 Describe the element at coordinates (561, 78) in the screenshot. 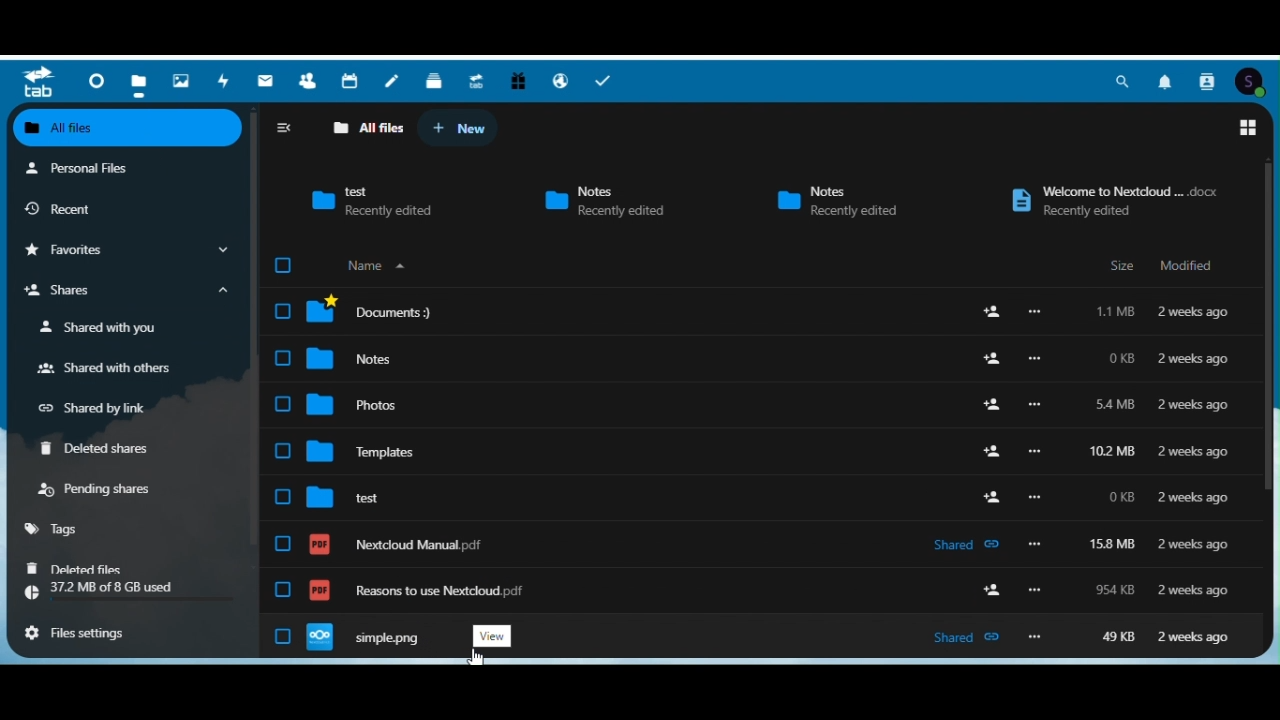

I see `Email hosting` at that location.